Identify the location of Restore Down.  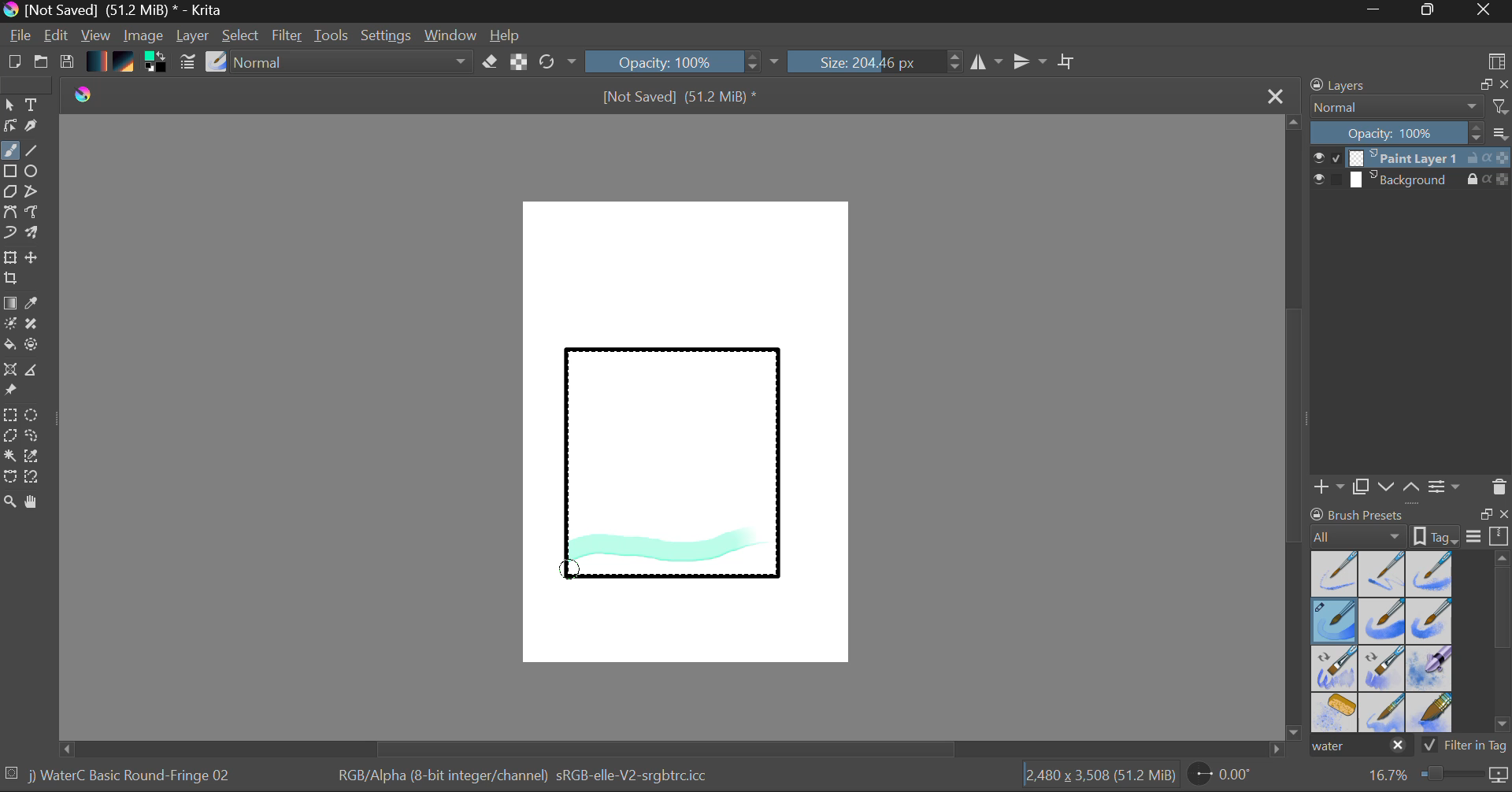
(1379, 11).